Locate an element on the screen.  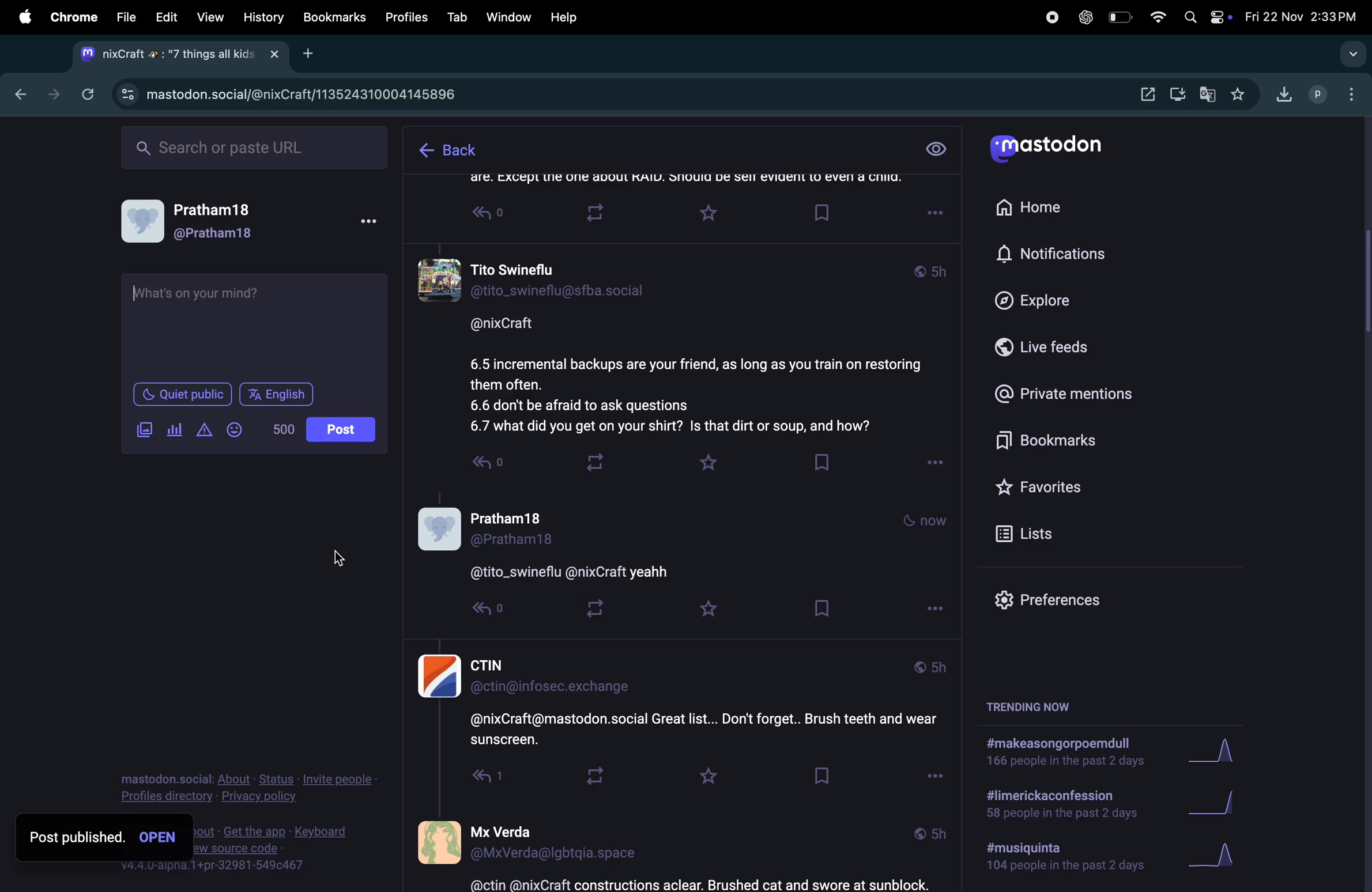
explore is located at coordinates (1053, 299).